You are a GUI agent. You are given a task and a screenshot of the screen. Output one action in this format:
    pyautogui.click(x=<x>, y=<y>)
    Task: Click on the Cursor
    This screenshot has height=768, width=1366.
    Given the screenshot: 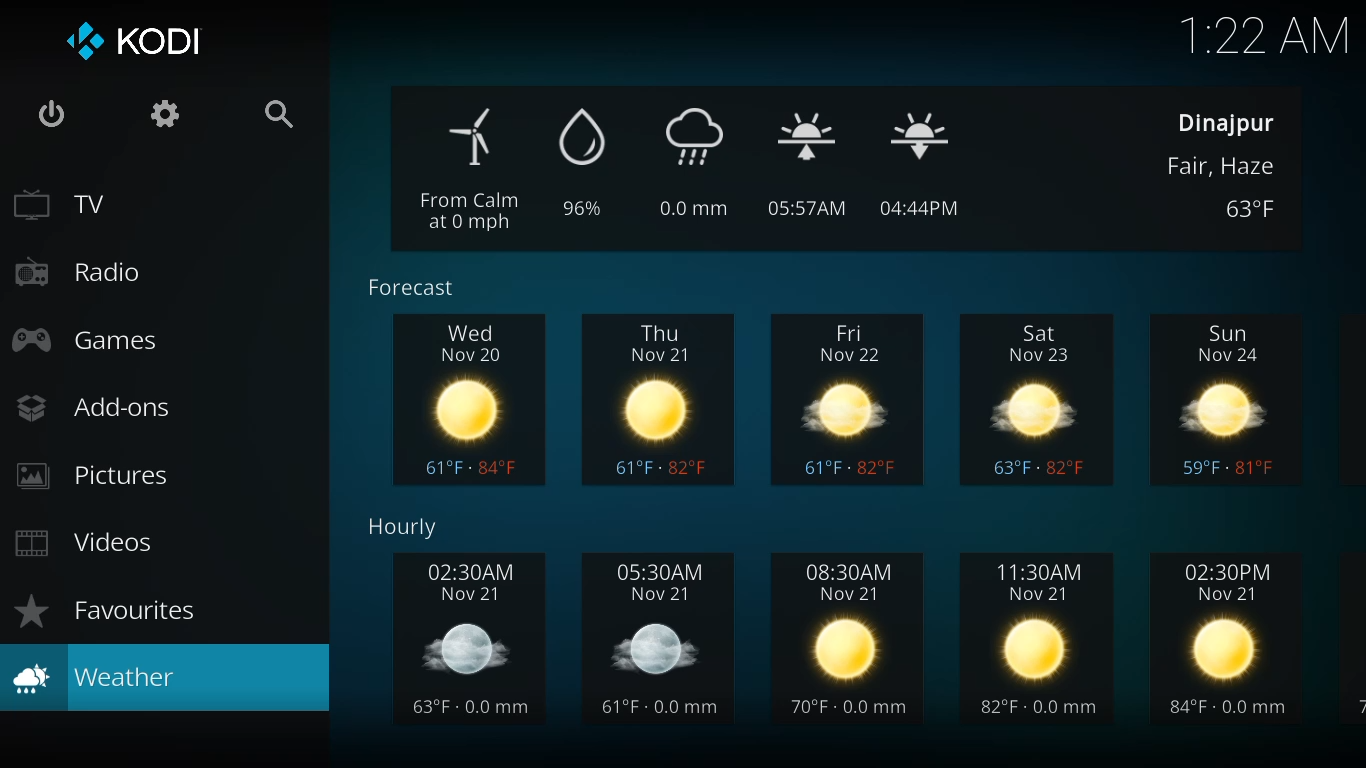 What is the action you would take?
    pyautogui.click(x=65, y=563)
    